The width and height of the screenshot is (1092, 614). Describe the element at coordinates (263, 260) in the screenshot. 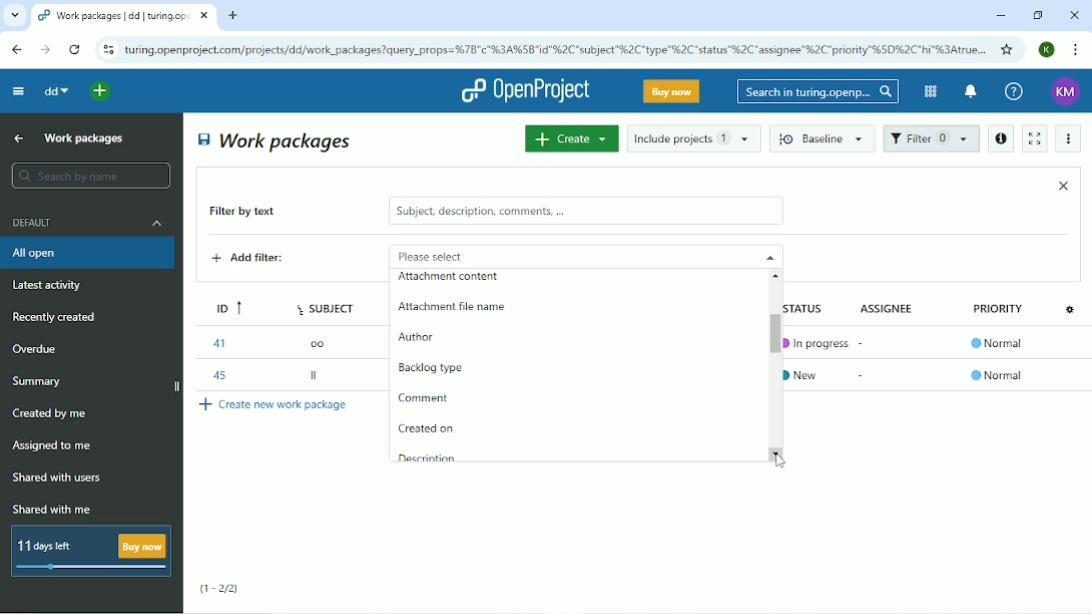

I see `Add filter` at that location.